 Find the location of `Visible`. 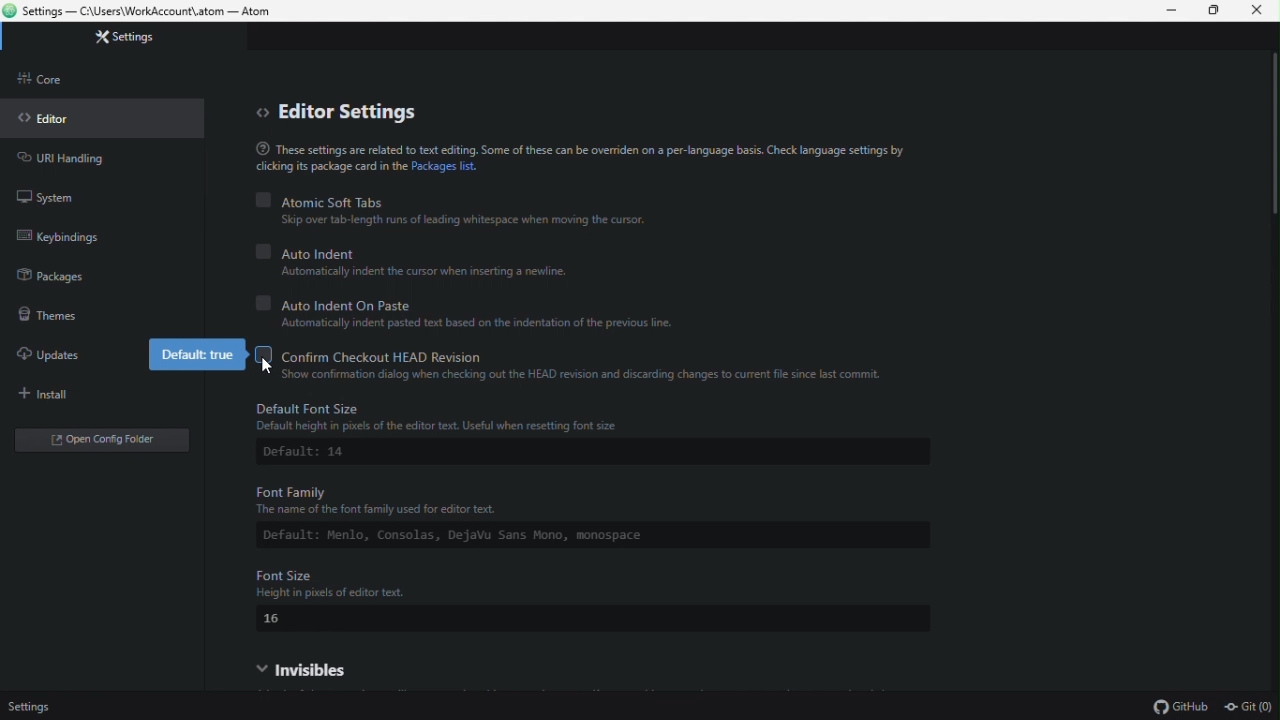

Visible is located at coordinates (320, 670).